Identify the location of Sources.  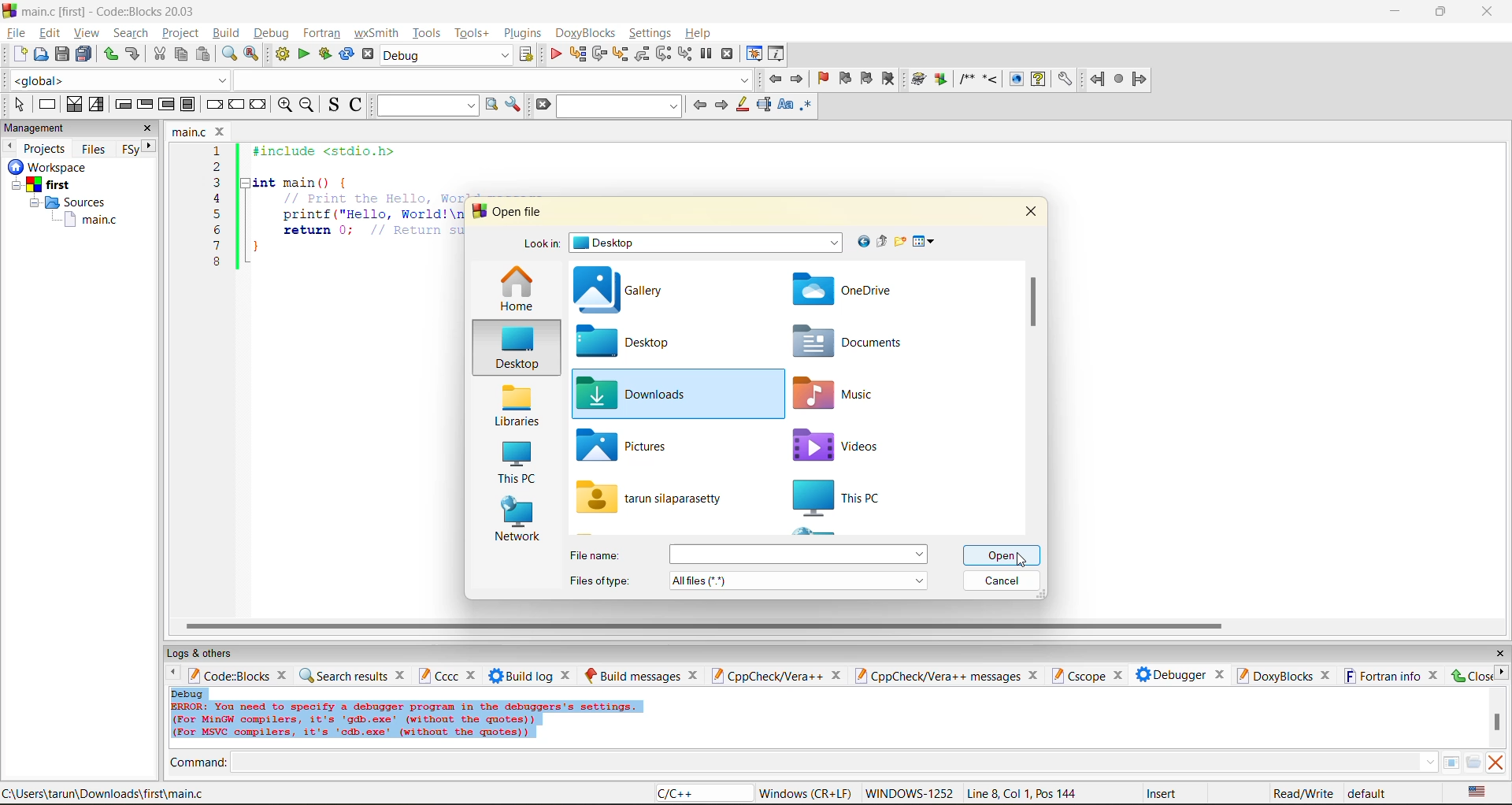
(72, 202).